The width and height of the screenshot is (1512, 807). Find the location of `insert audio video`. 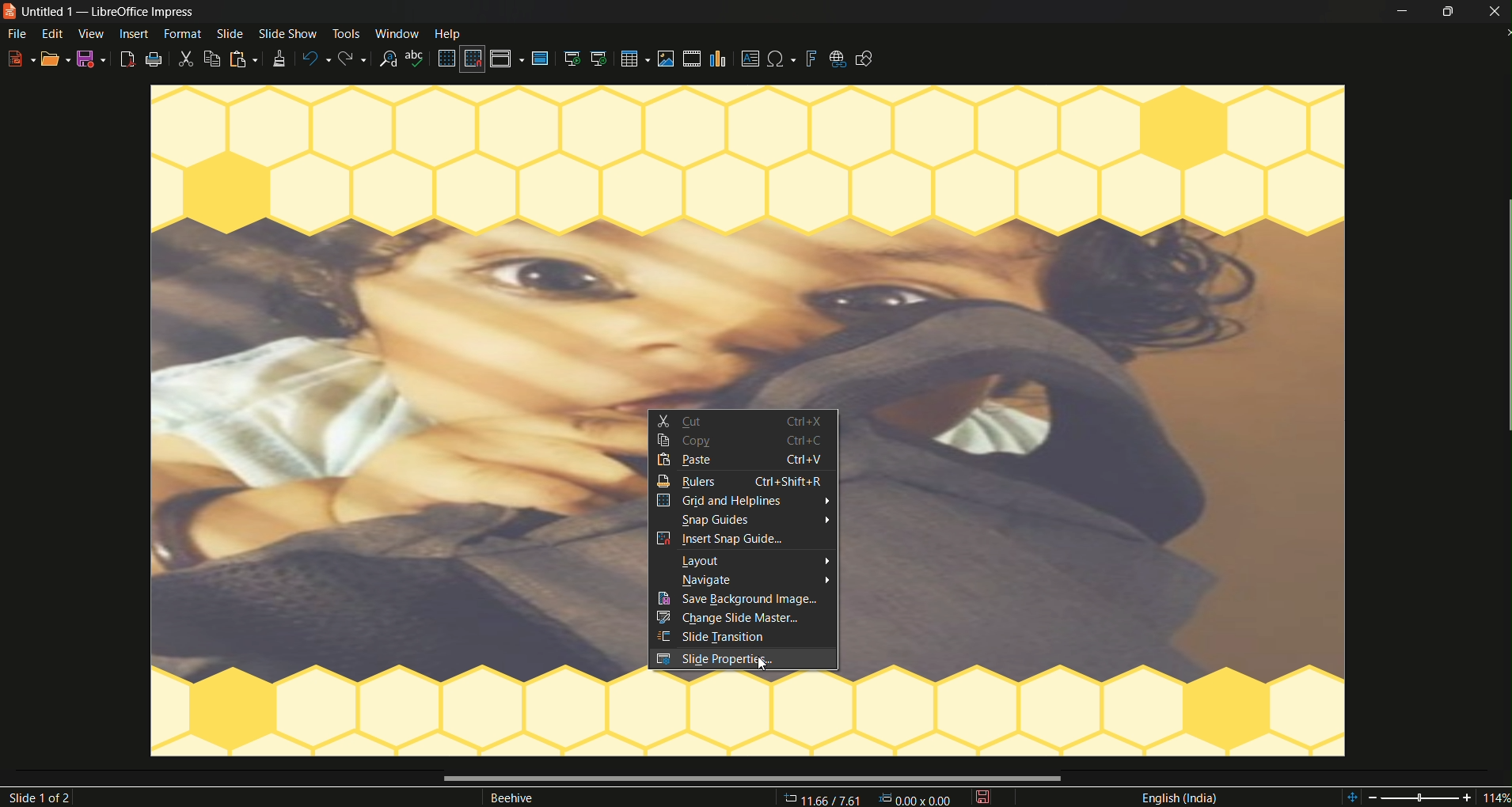

insert audio video is located at coordinates (693, 59).